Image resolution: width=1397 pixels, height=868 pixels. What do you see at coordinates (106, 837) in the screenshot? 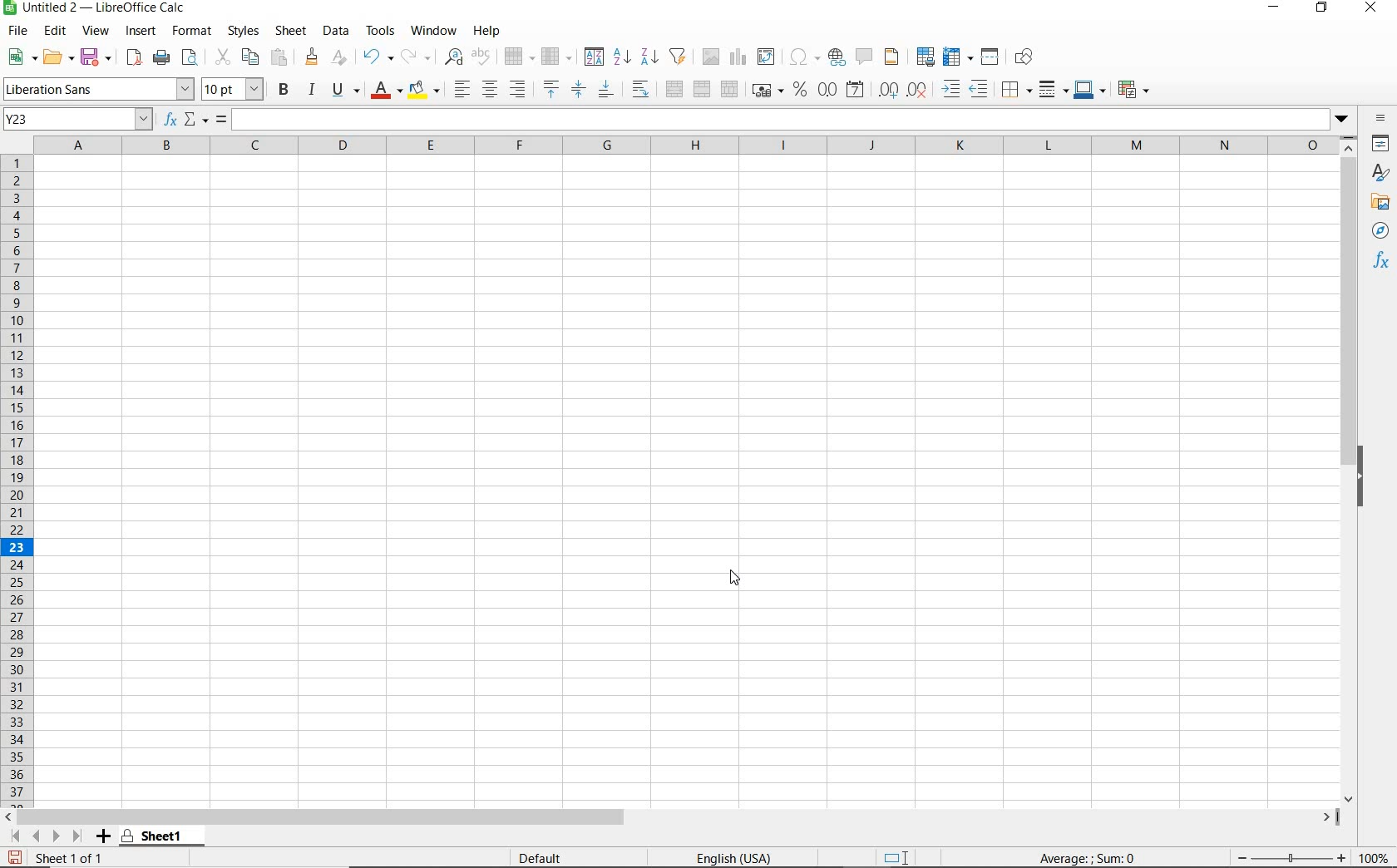
I see `ADD SHEET` at bounding box center [106, 837].